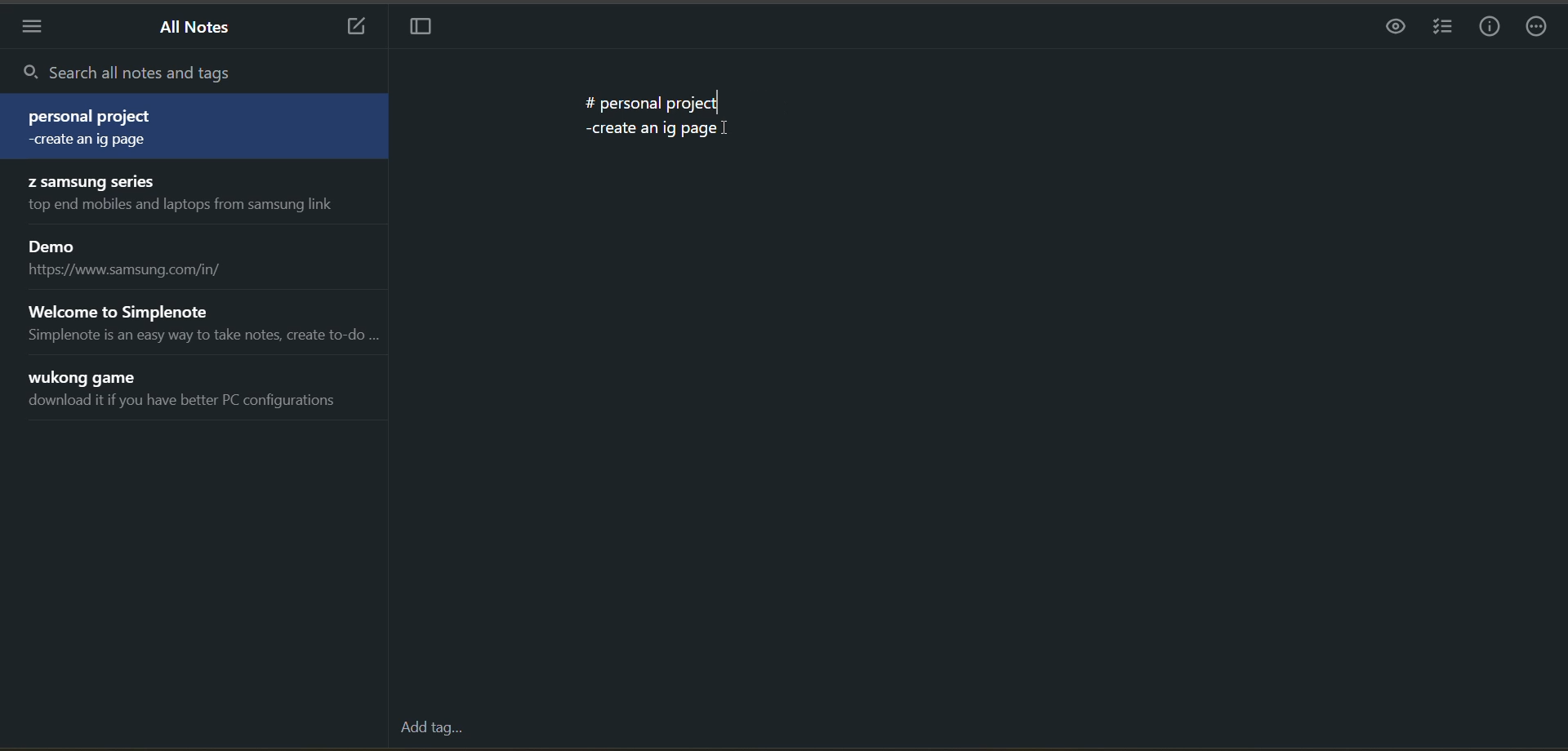 The height and width of the screenshot is (751, 1568). What do you see at coordinates (189, 125) in the screenshot?
I see `note title and preview` at bounding box center [189, 125].